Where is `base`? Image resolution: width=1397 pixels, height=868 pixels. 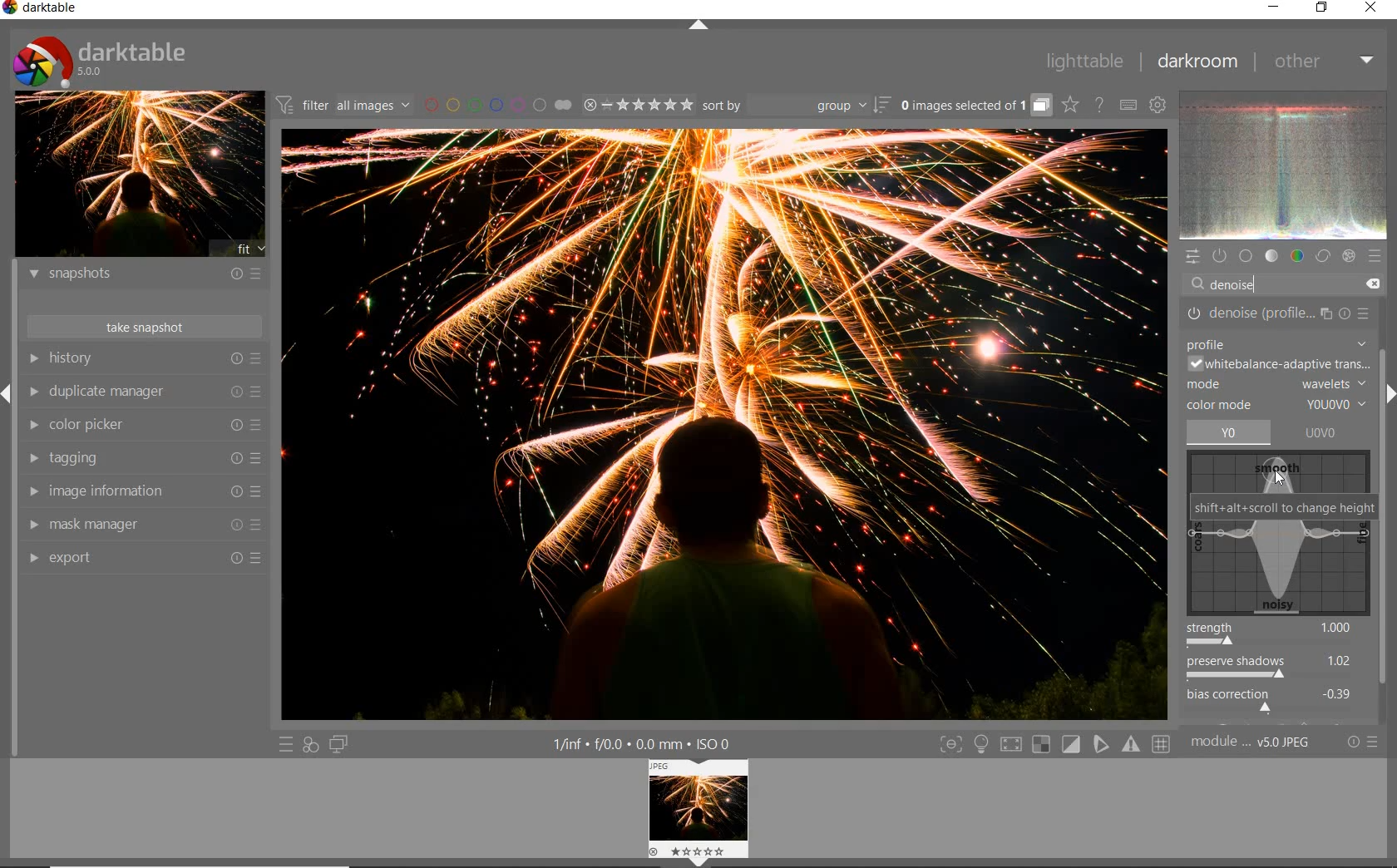
base is located at coordinates (1247, 257).